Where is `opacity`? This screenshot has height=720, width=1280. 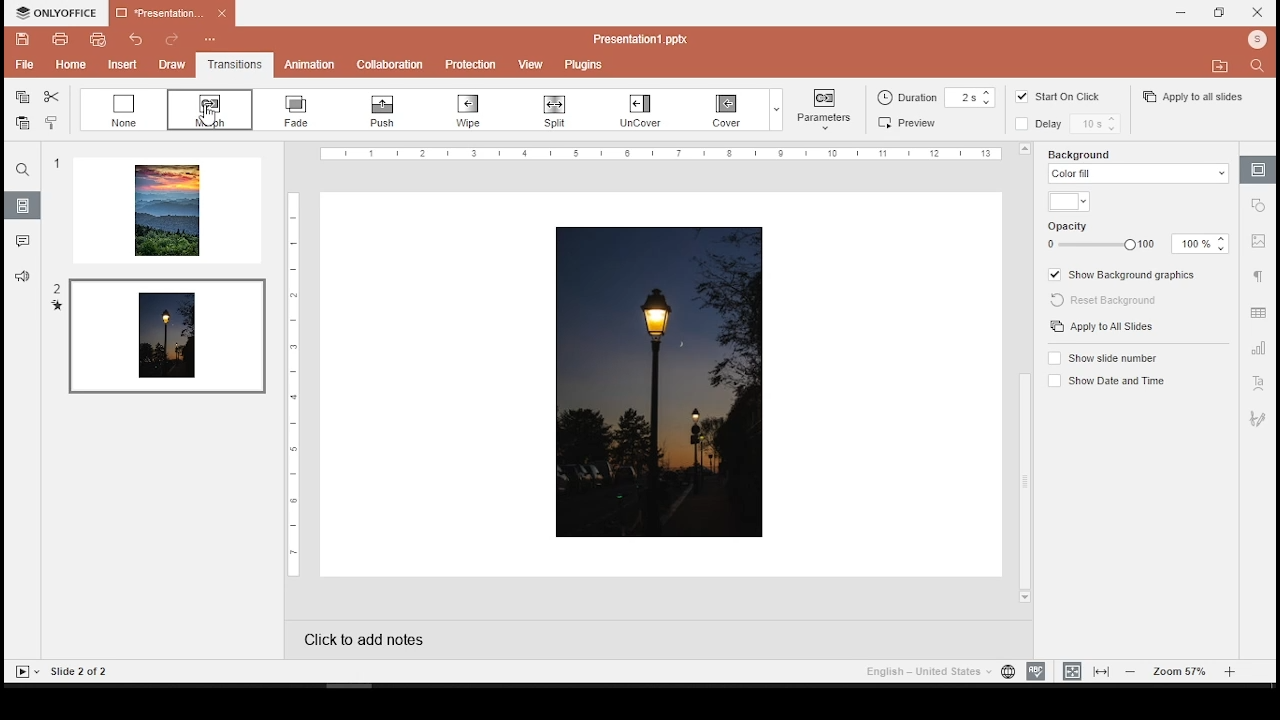
opacity is located at coordinates (1079, 223).